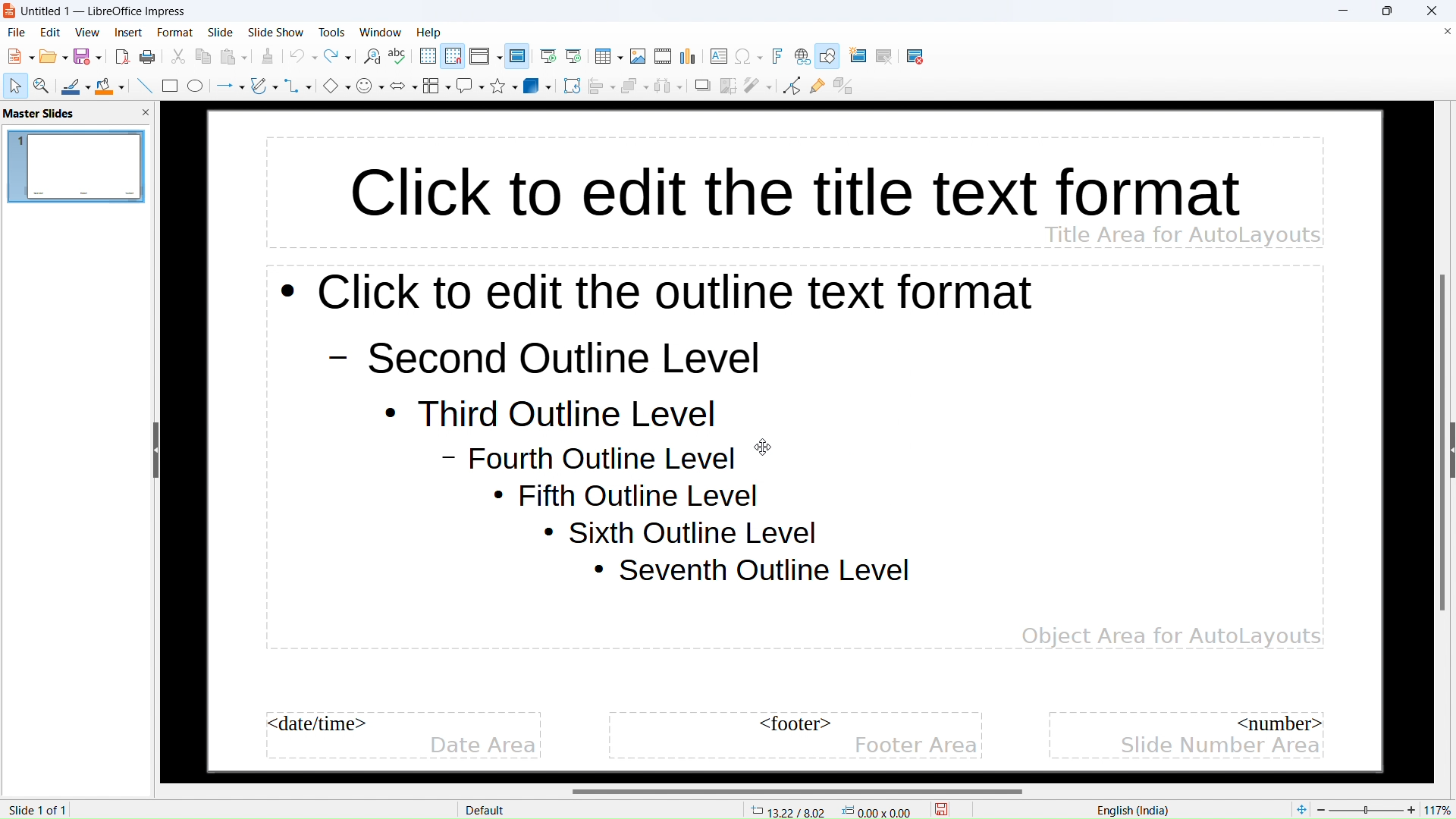 The height and width of the screenshot is (819, 1456). I want to click on start from the first slide, so click(549, 57).